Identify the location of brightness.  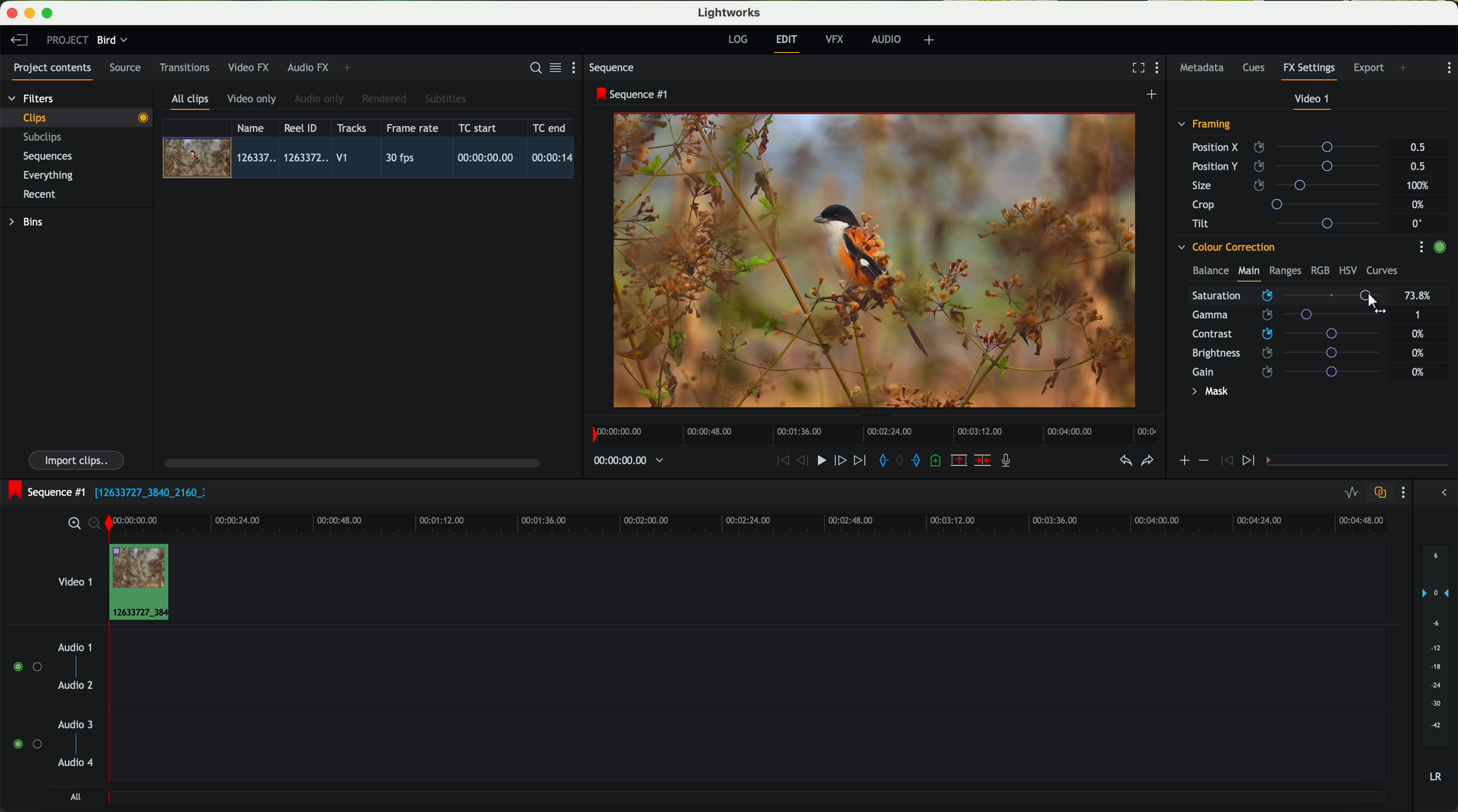
(1293, 353).